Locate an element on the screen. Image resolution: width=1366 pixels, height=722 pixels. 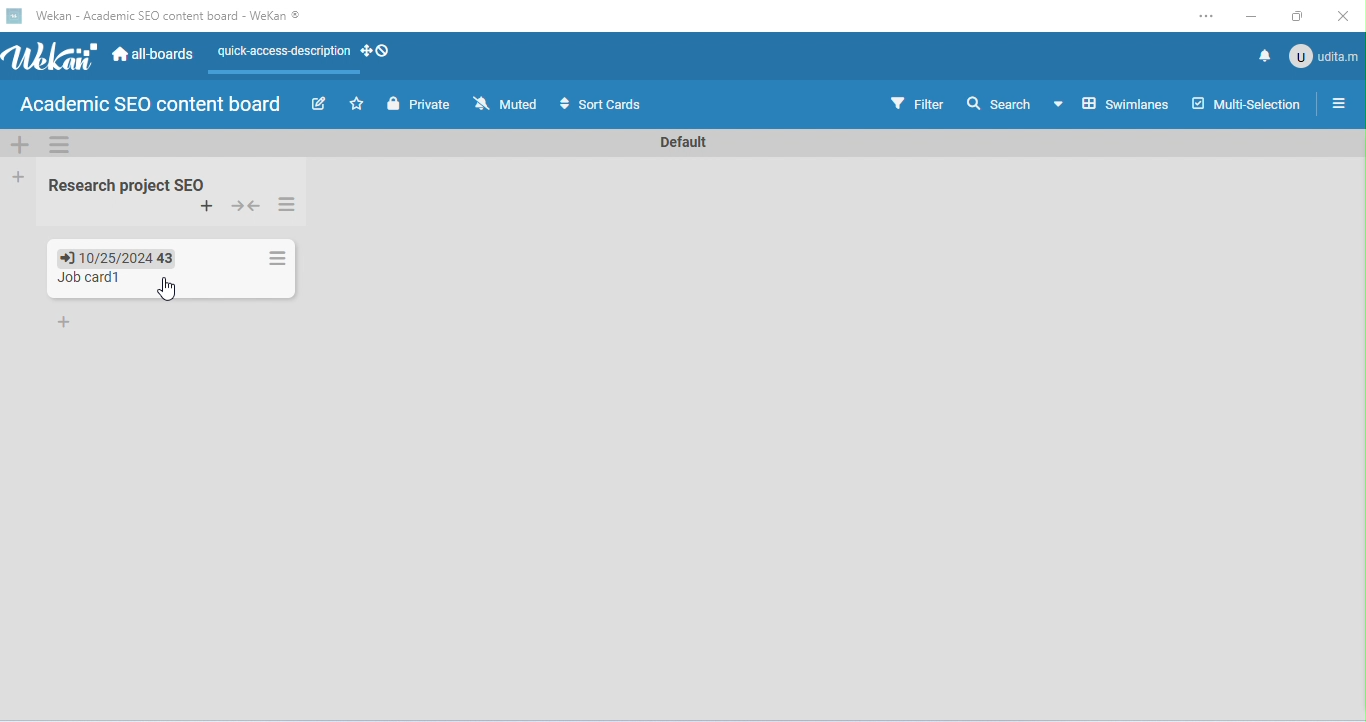
add card to bottom of list is located at coordinates (67, 323).